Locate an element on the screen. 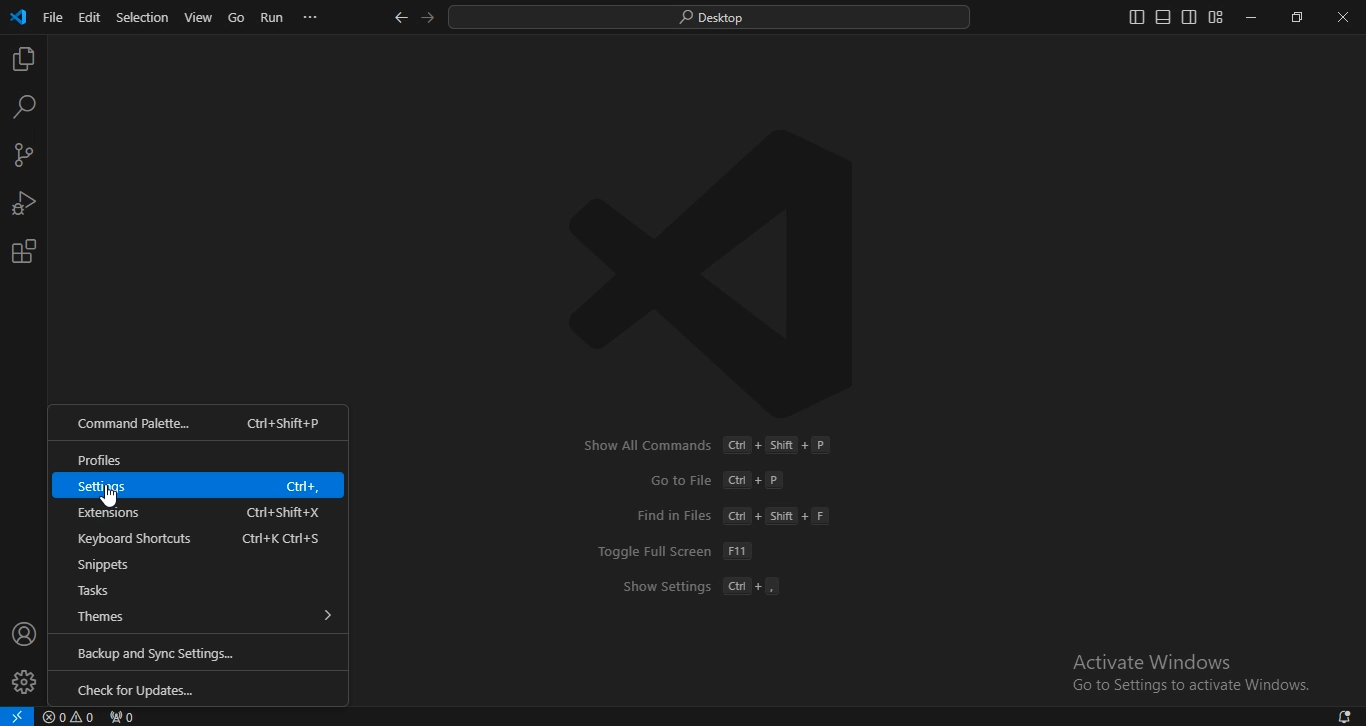 The image size is (1366, 726). restore windows is located at coordinates (1294, 18).